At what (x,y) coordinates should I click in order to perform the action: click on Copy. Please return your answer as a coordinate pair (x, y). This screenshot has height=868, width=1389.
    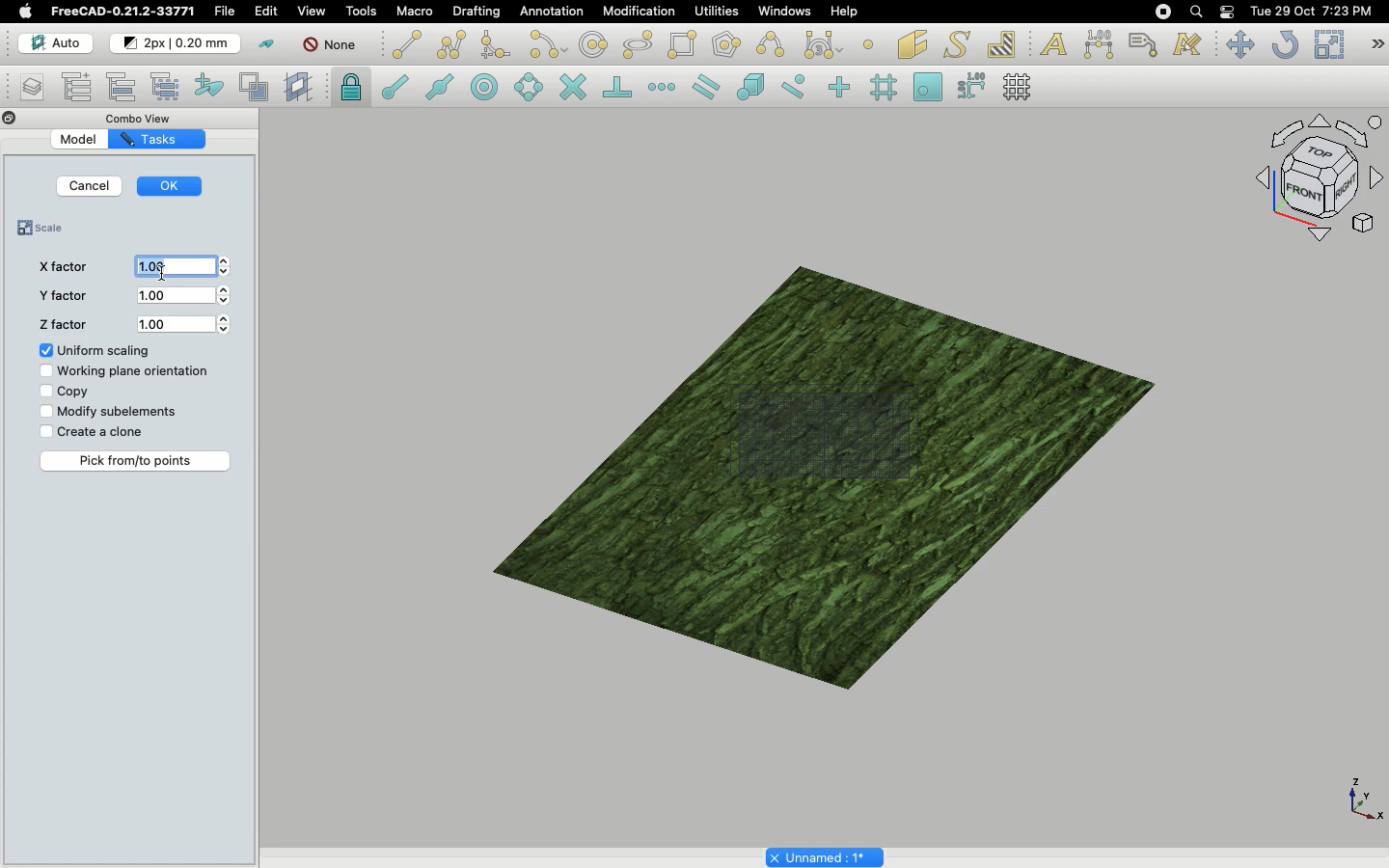
    Looking at the image, I should click on (62, 392).